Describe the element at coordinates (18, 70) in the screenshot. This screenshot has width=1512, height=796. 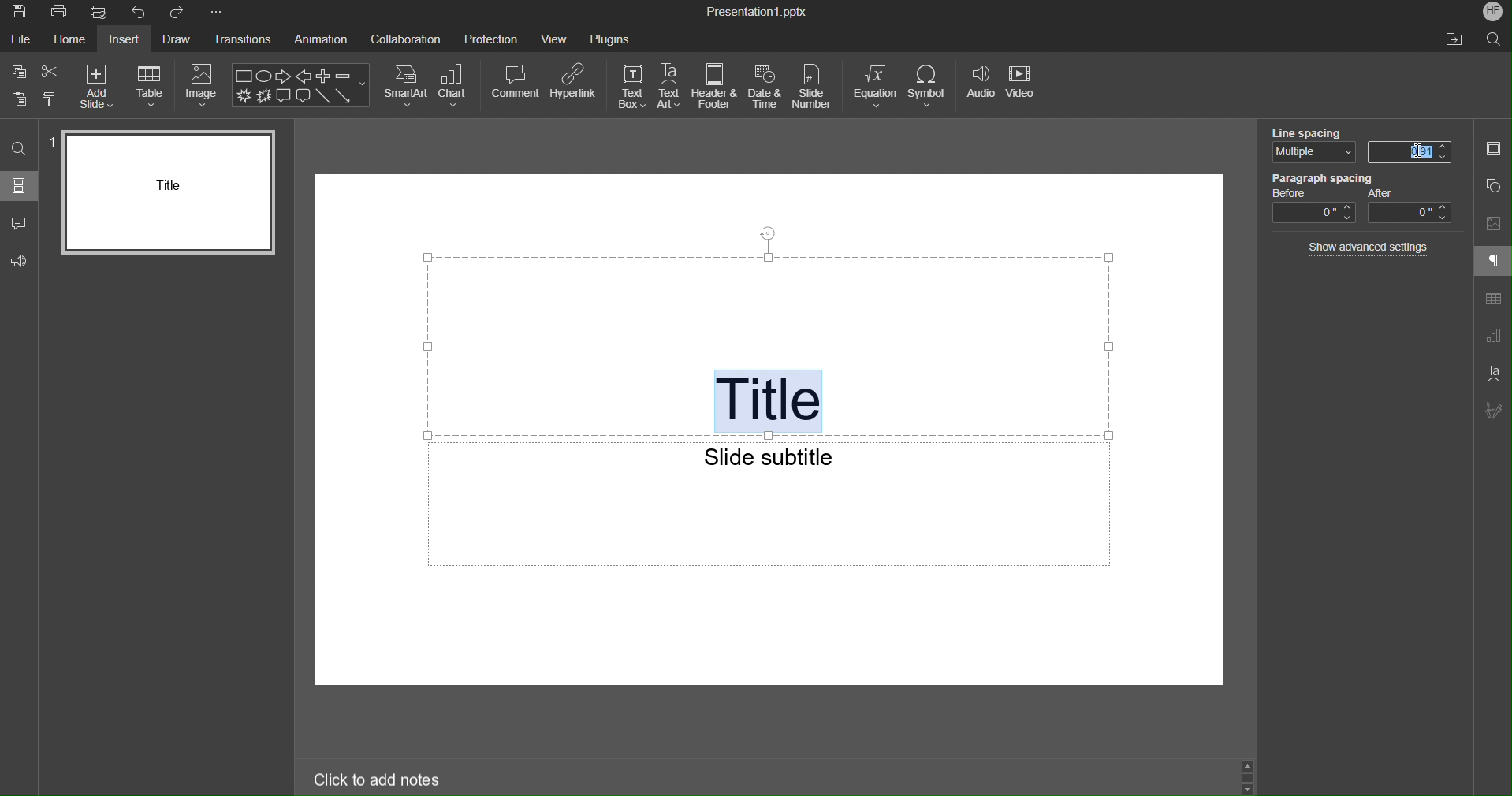
I see `Copy` at that location.